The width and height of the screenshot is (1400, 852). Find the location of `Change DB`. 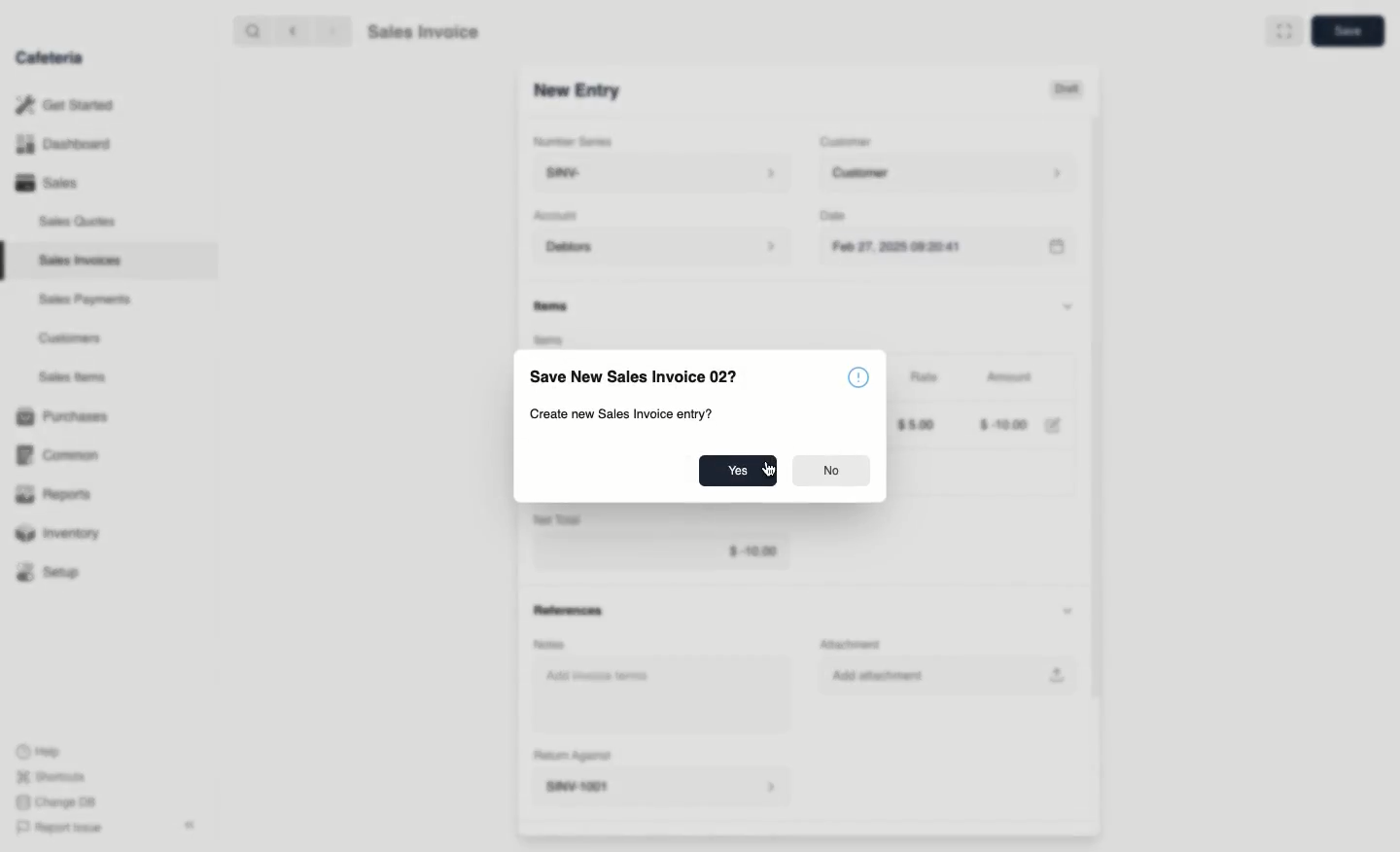

Change DB is located at coordinates (59, 801).